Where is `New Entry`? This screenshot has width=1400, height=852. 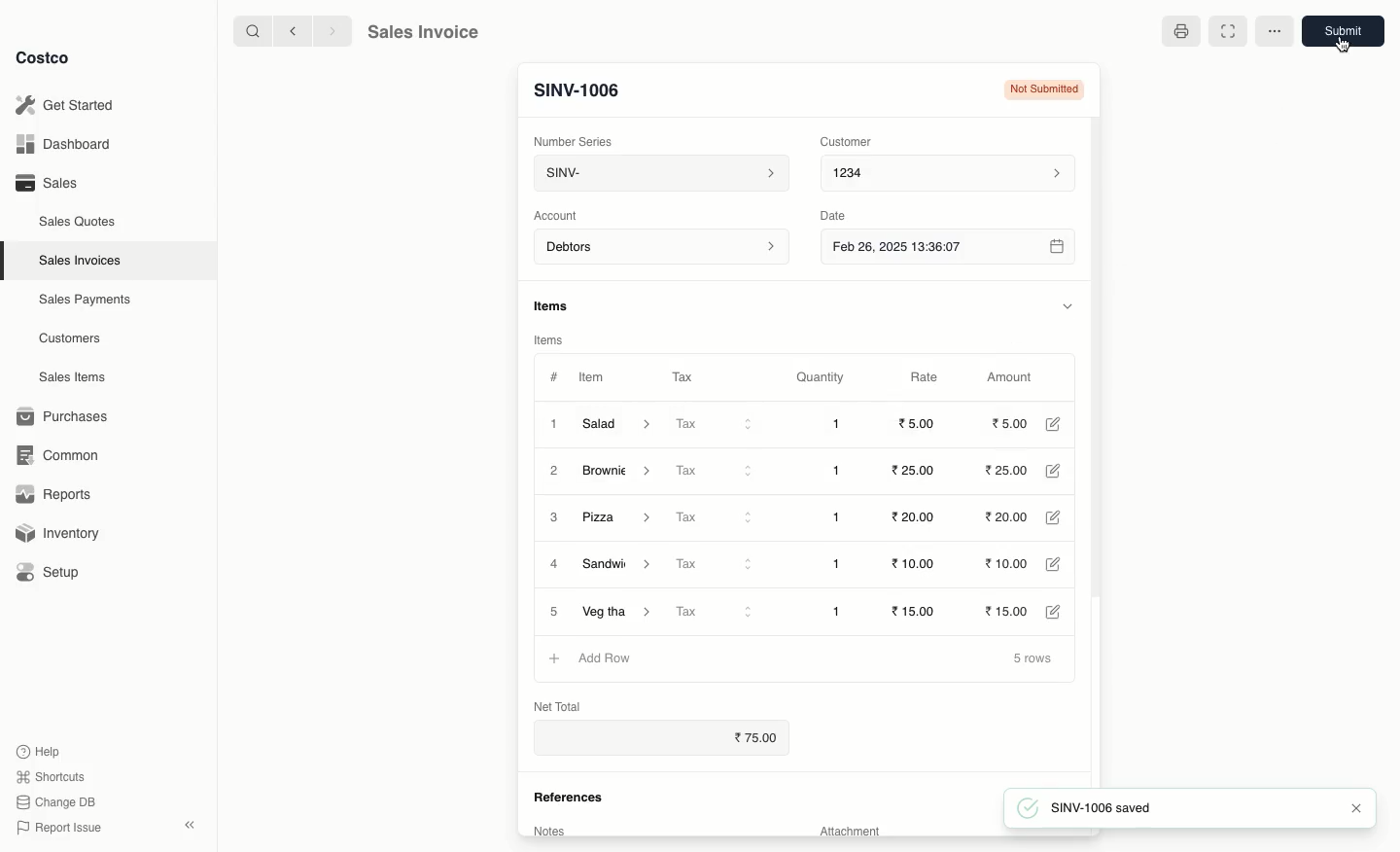 New Entry is located at coordinates (576, 89).